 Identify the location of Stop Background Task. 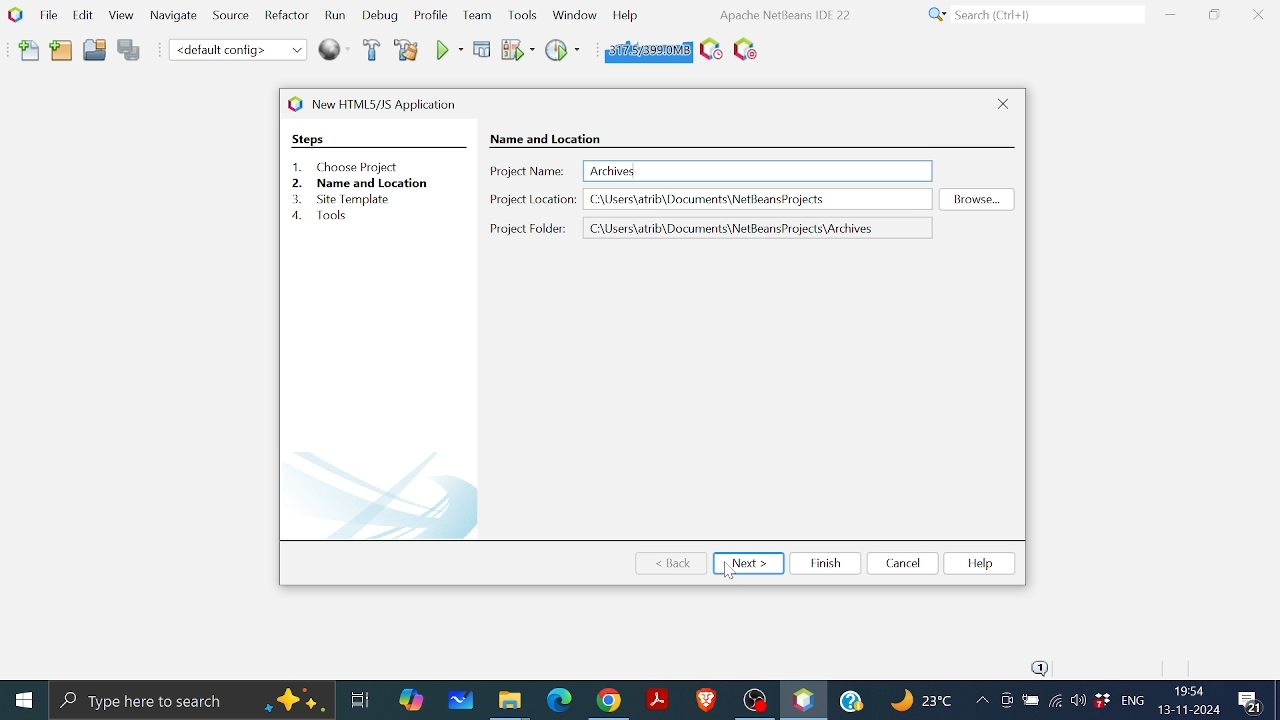
(744, 50).